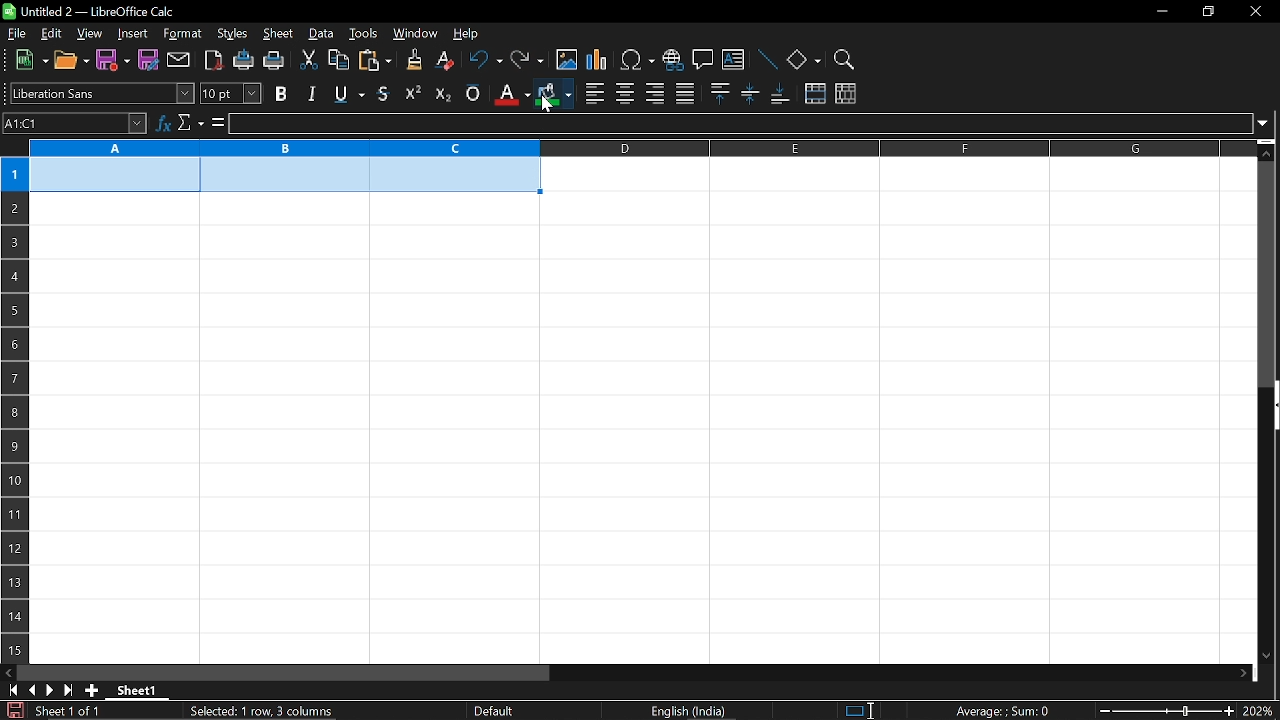 Image resolution: width=1280 pixels, height=720 pixels. Describe the element at coordinates (1162, 10) in the screenshot. I see `minimize` at that location.